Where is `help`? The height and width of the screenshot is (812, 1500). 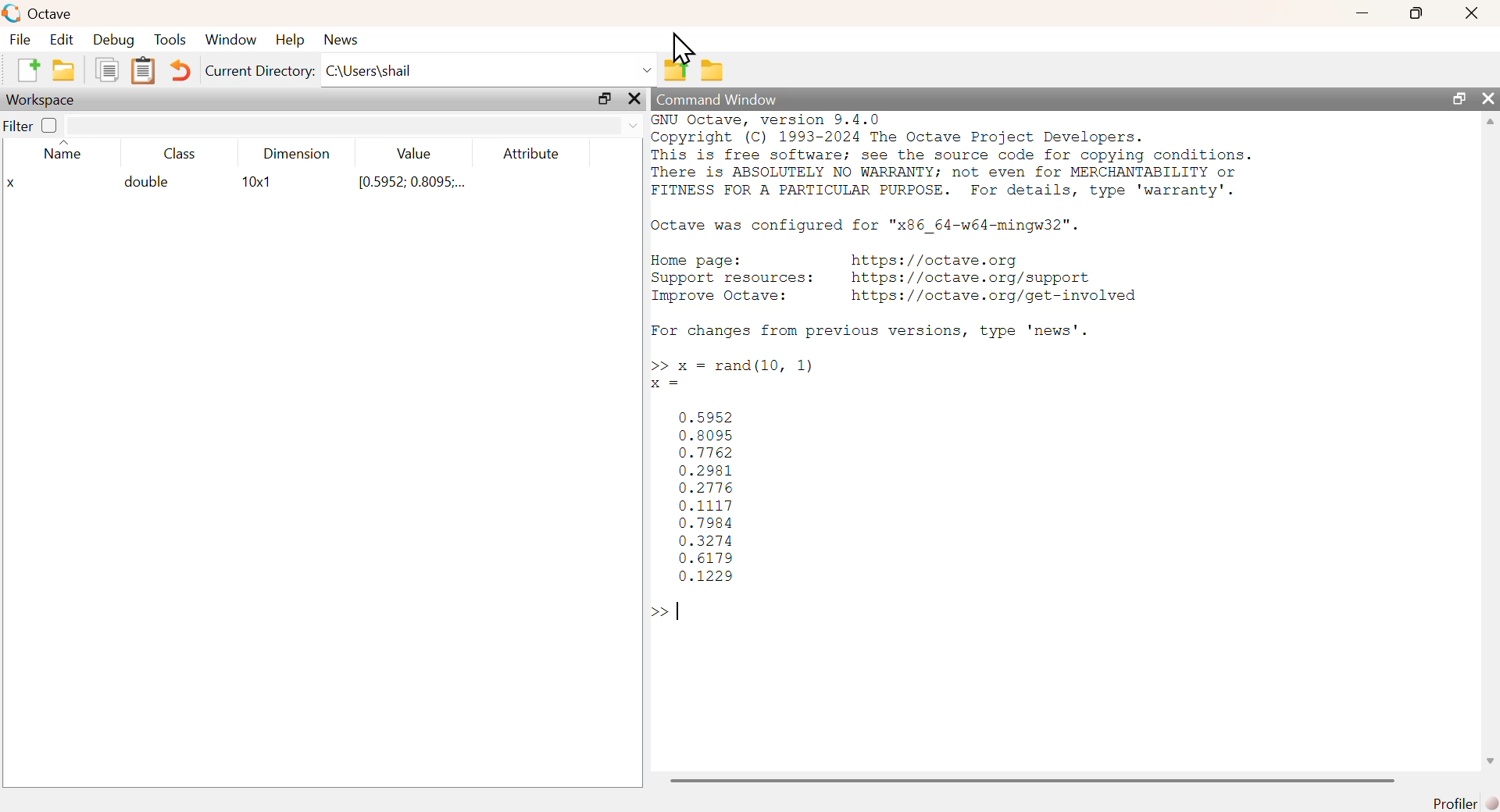
help is located at coordinates (294, 40).